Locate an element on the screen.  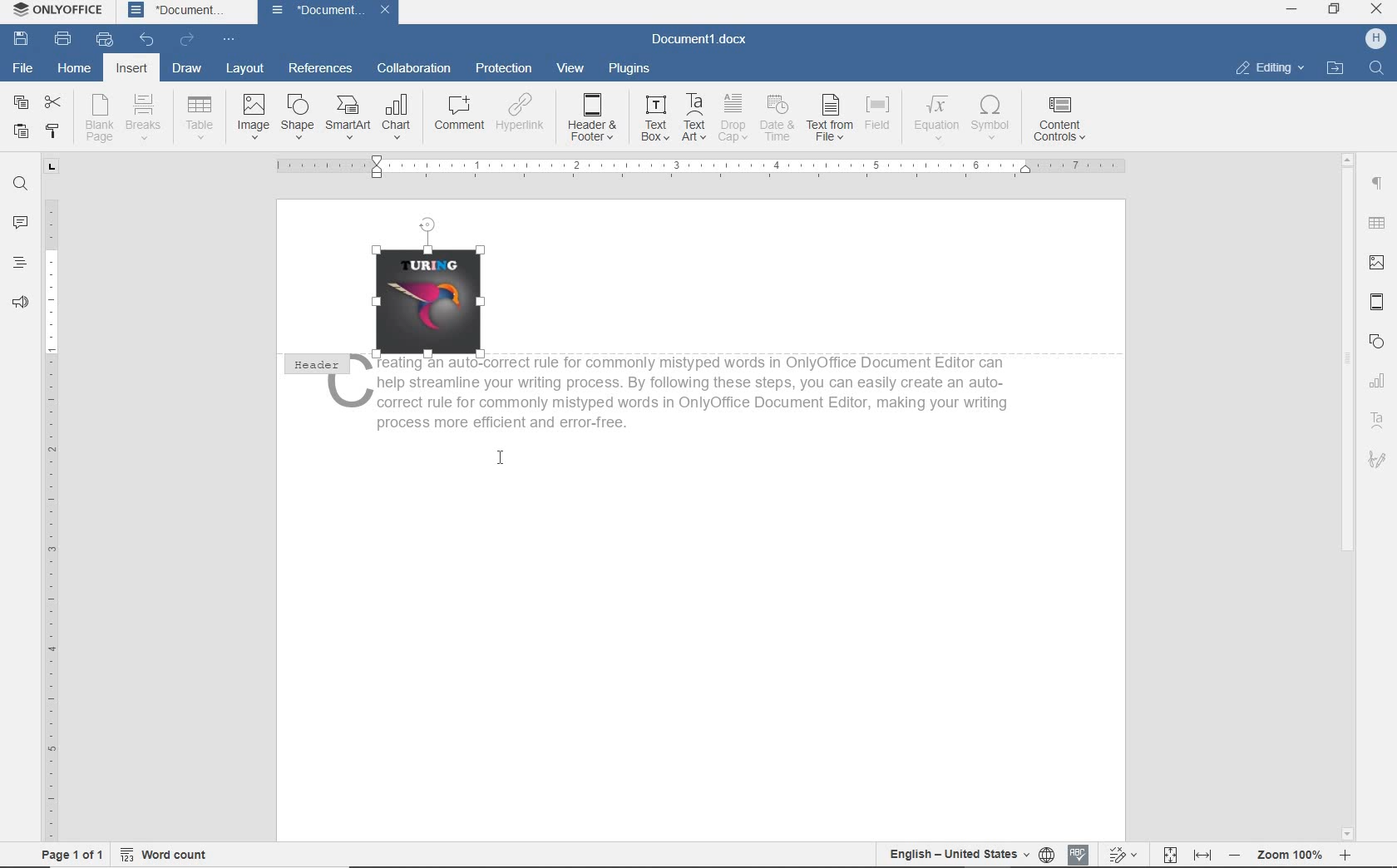
 is located at coordinates (253, 116).